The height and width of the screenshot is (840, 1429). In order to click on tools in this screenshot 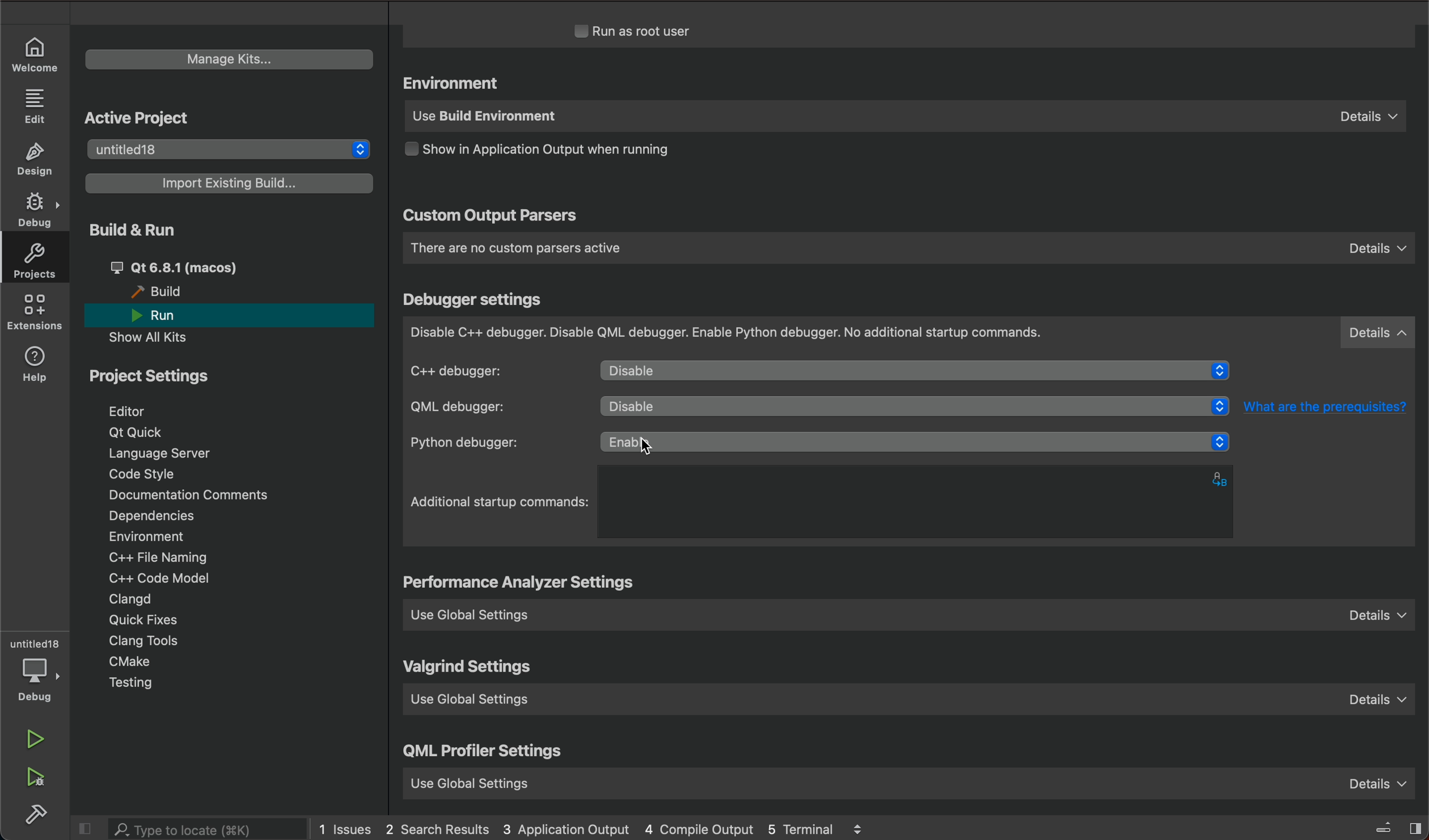, I will do `click(161, 642)`.